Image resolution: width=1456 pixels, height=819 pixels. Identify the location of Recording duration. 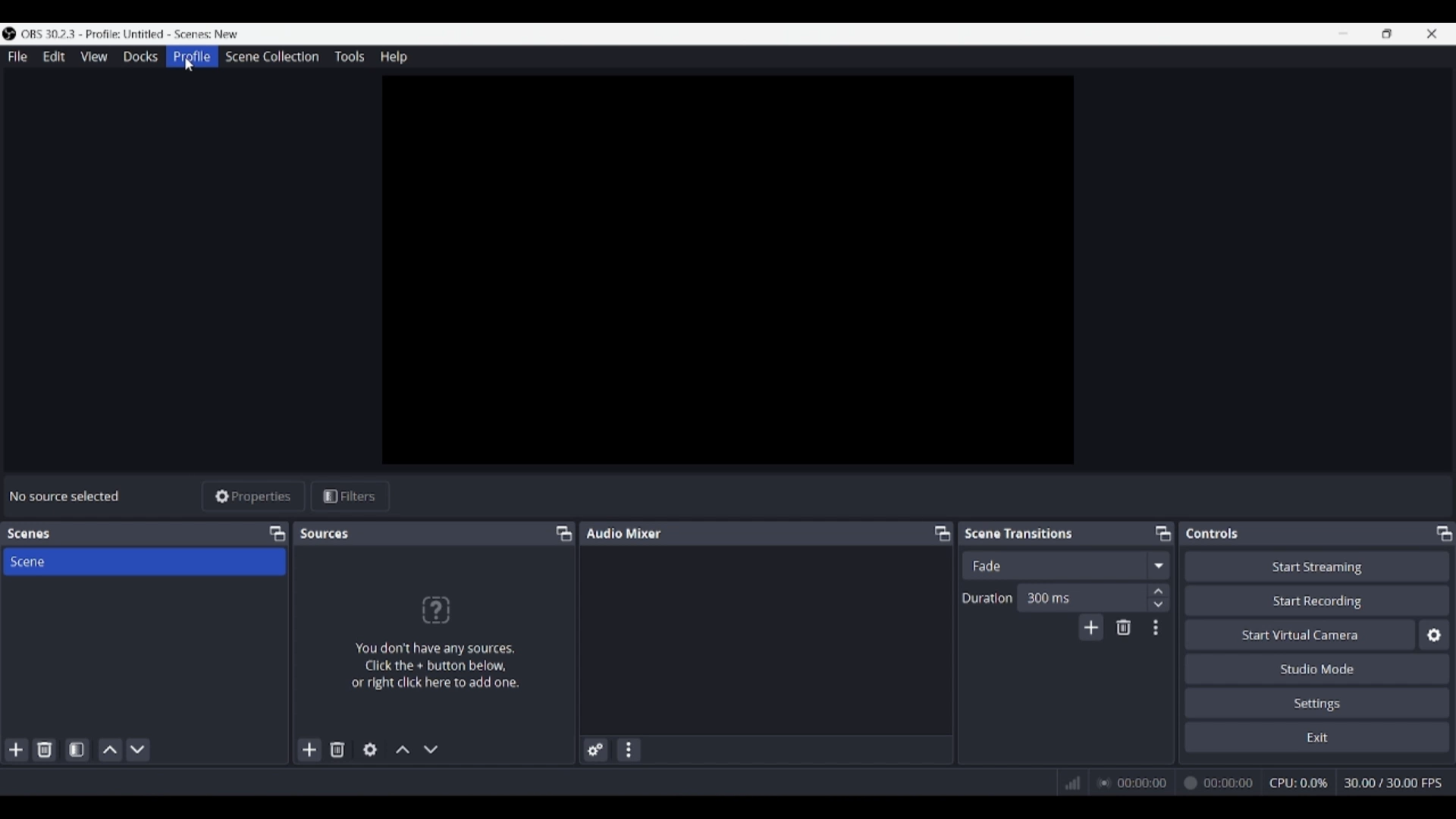
(1175, 783).